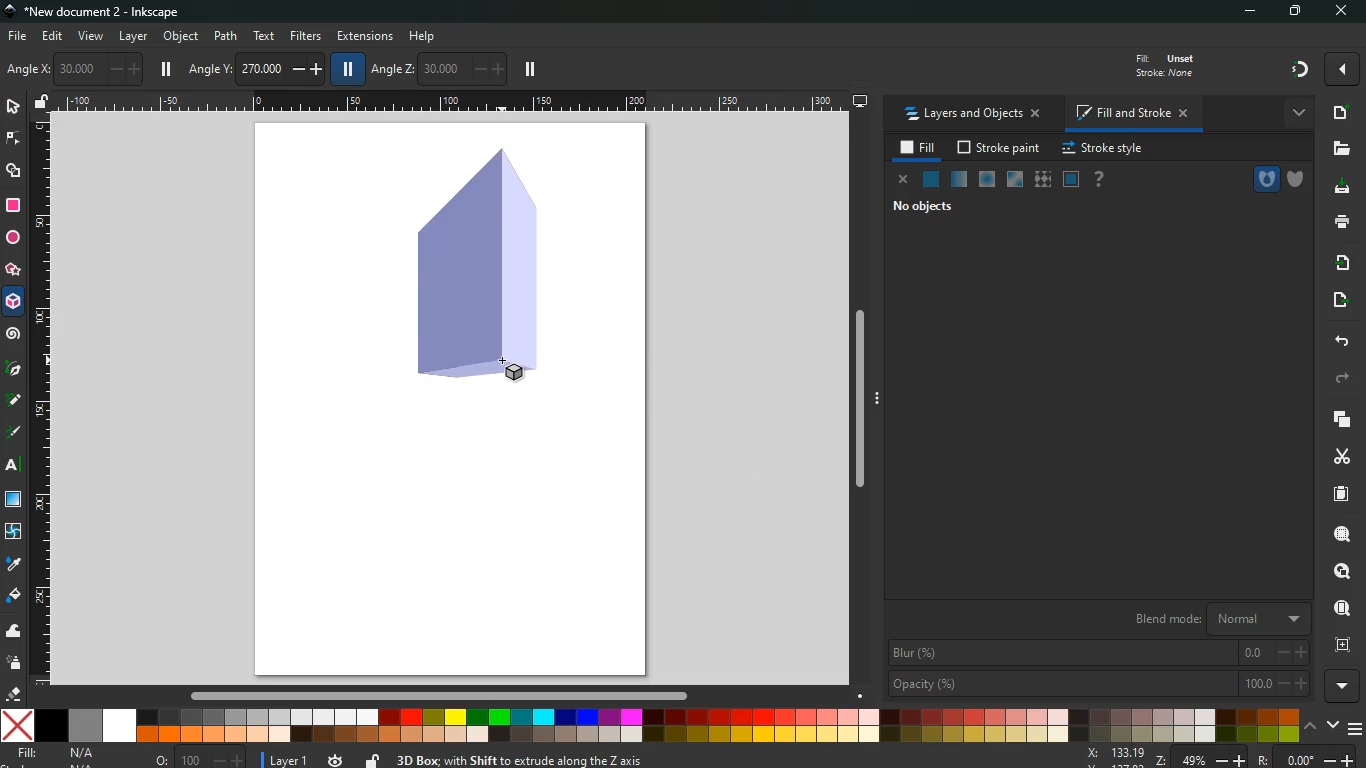 Image resolution: width=1366 pixels, height=768 pixels. Describe the element at coordinates (922, 208) in the screenshot. I see `no objects` at that location.